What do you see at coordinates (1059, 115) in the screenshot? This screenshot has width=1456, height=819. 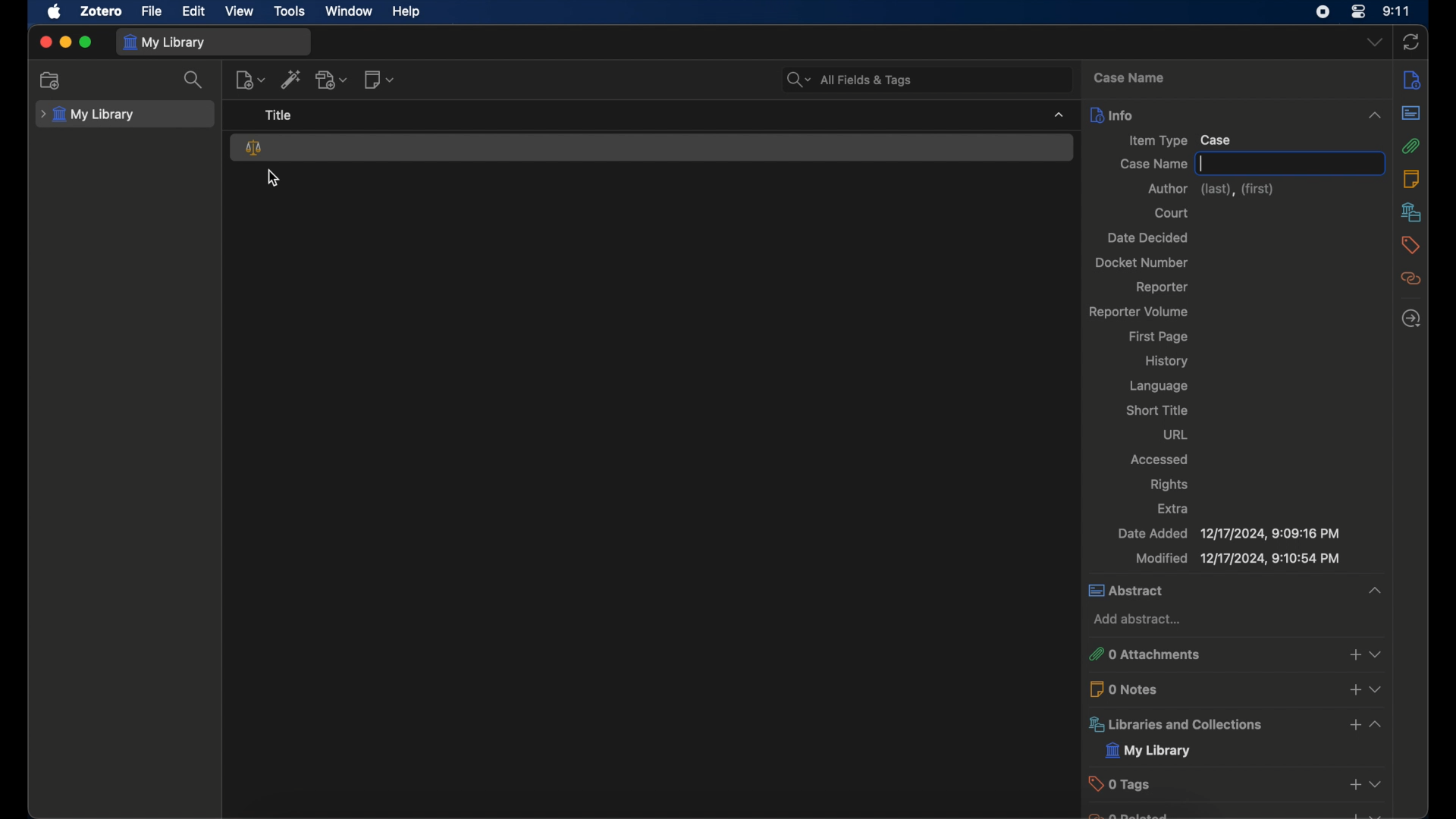 I see `dropdown` at bounding box center [1059, 115].